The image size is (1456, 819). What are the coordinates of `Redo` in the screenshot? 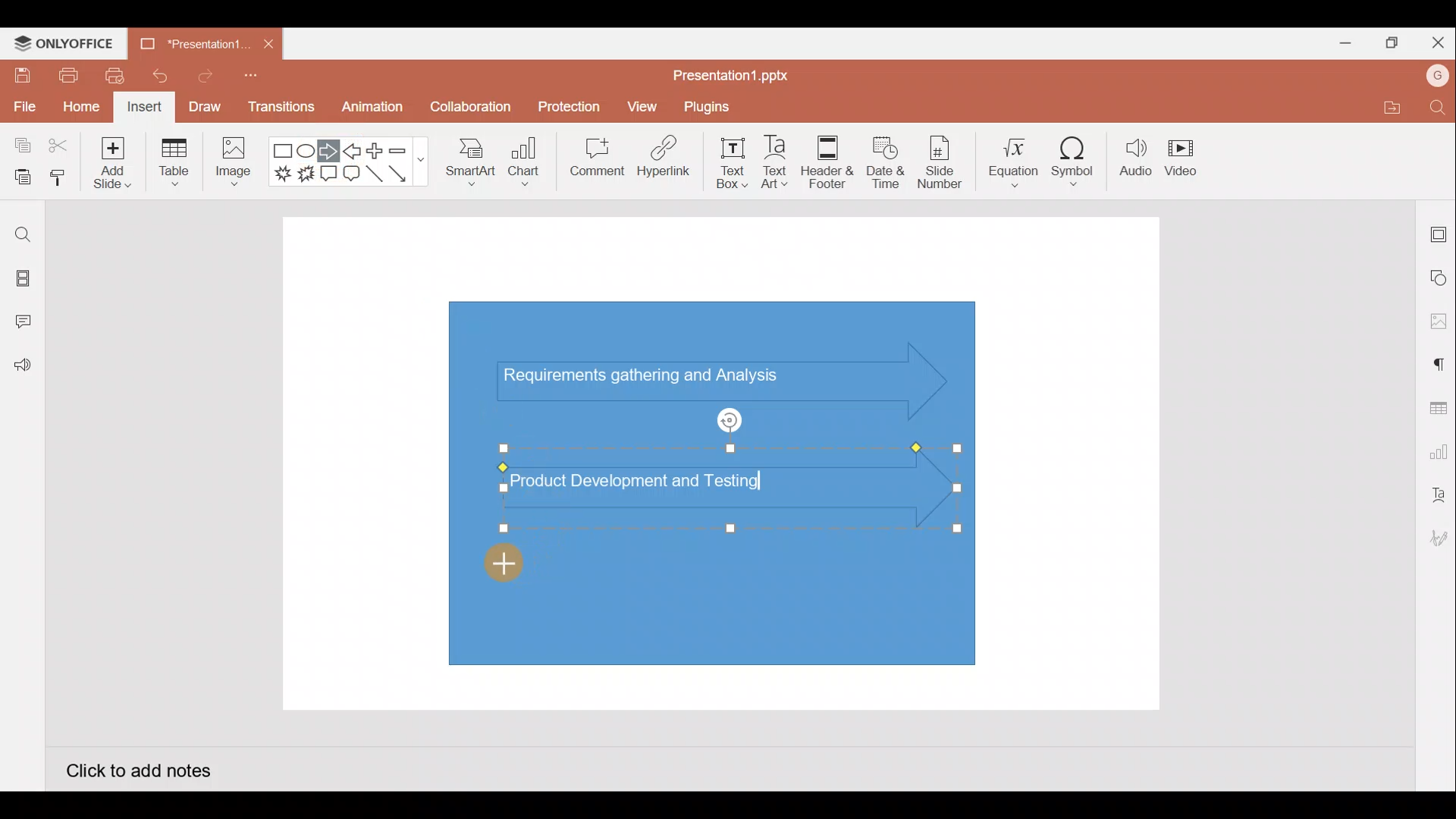 It's located at (199, 75).